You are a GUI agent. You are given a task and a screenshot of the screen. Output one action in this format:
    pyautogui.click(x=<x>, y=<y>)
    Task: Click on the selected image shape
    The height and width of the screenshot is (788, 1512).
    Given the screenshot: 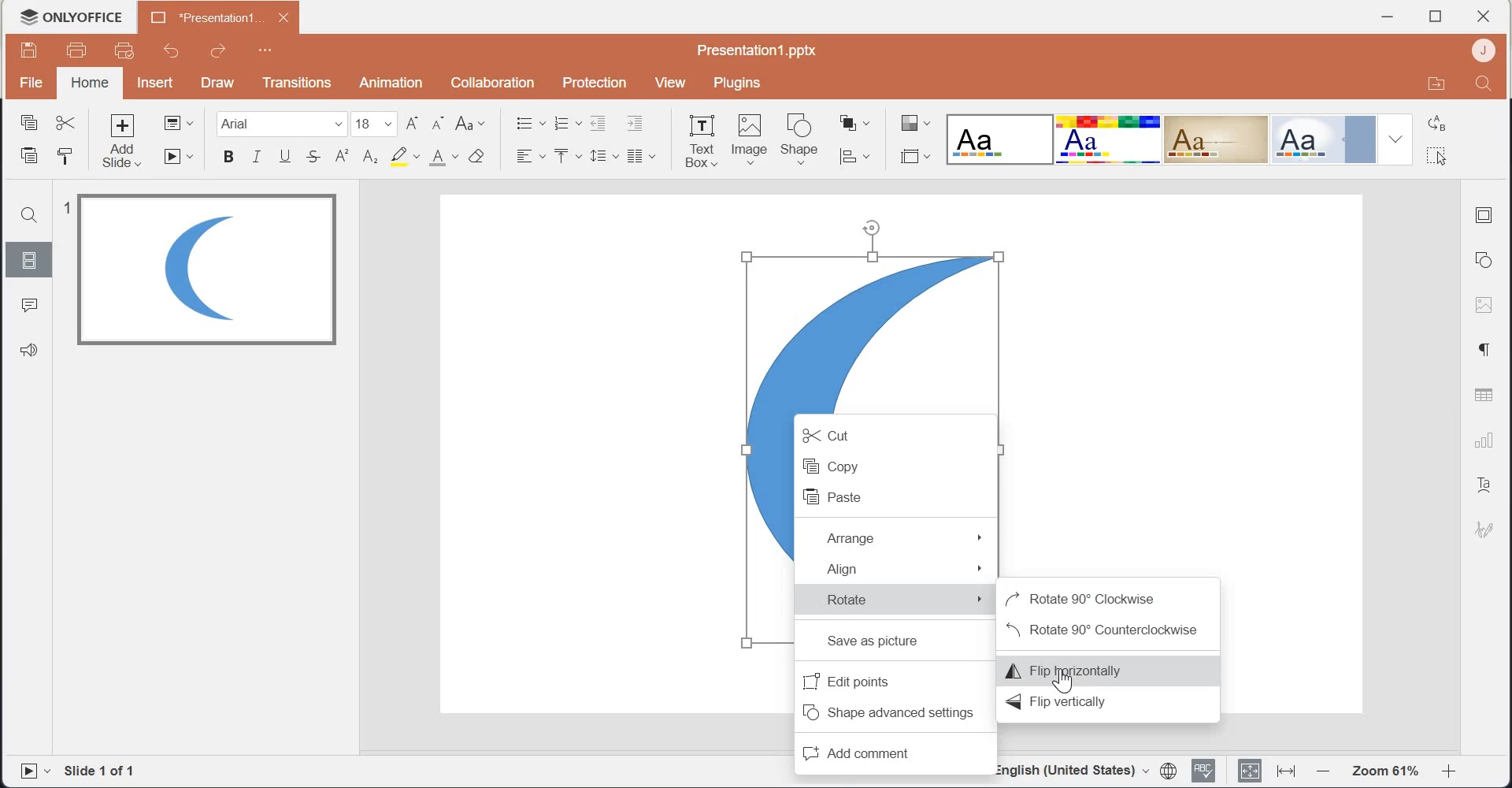 What is the action you would take?
    pyautogui.click(x=873, y=310)
    